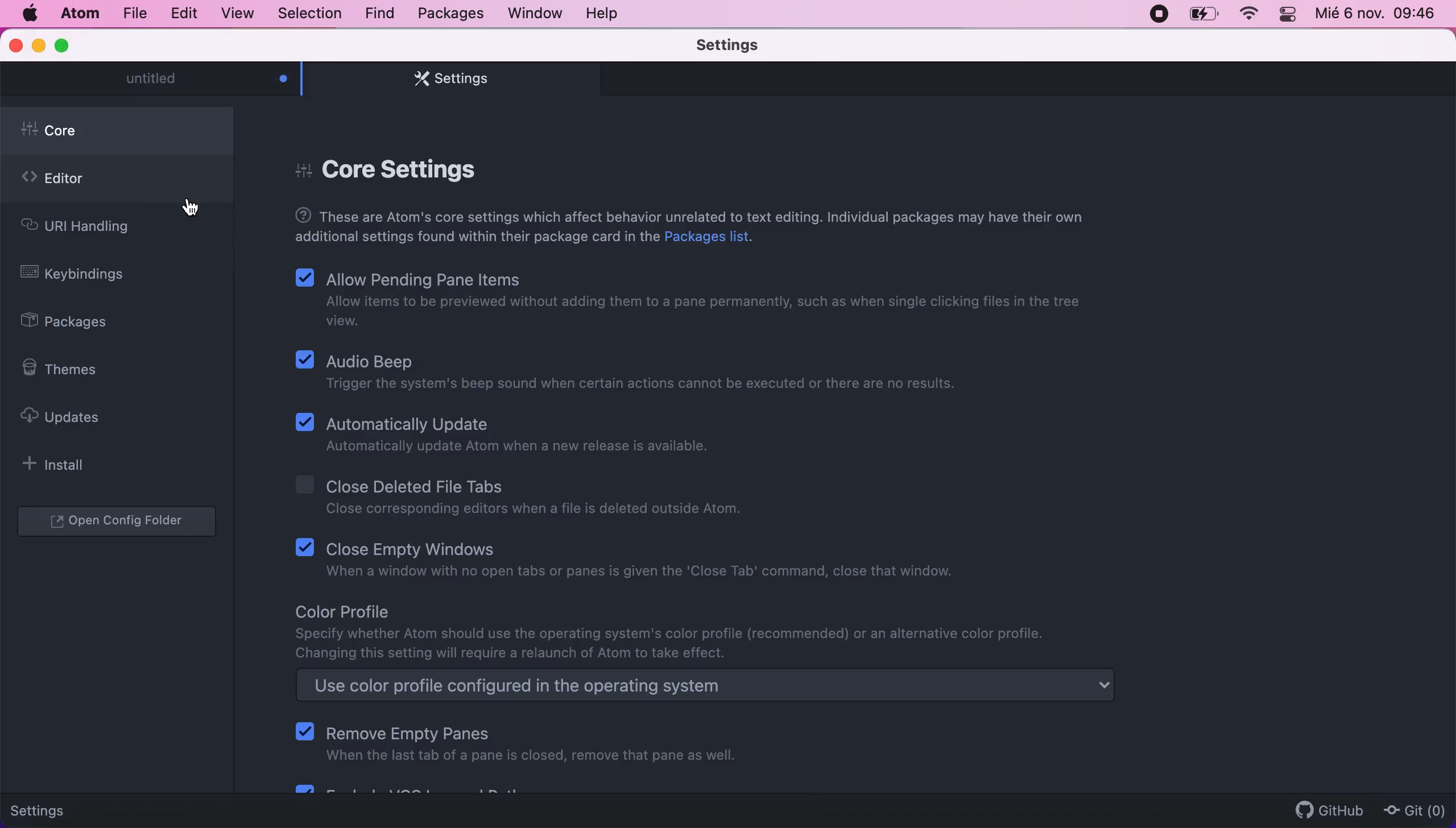 The height and width of the screenshot is (828, 1456). What do you see at coordinates (309, 14) in the screenshot?
I see `selection` at bounding box center [309, 14].